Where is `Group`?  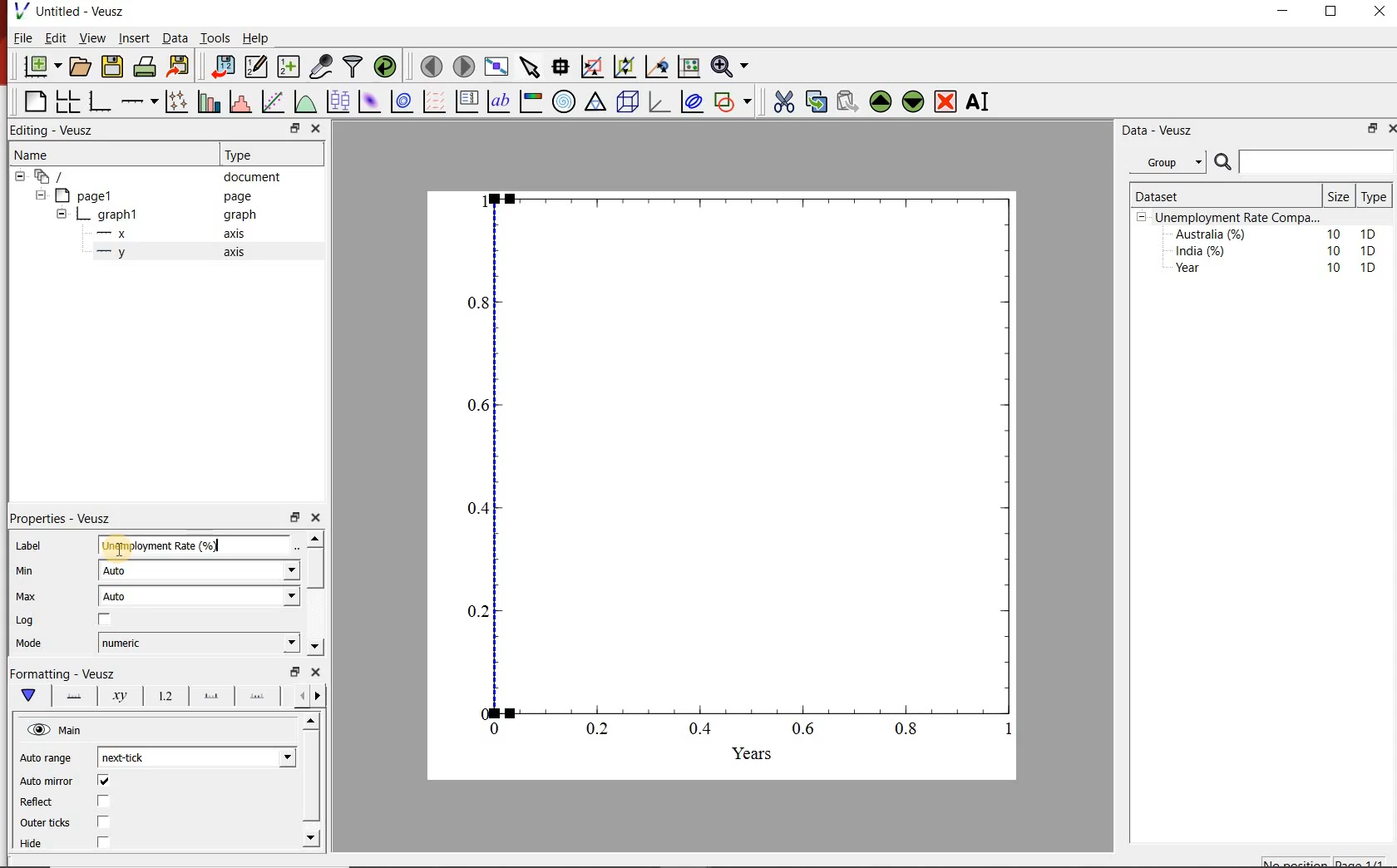
Group is located at coordinates (1170, 162).